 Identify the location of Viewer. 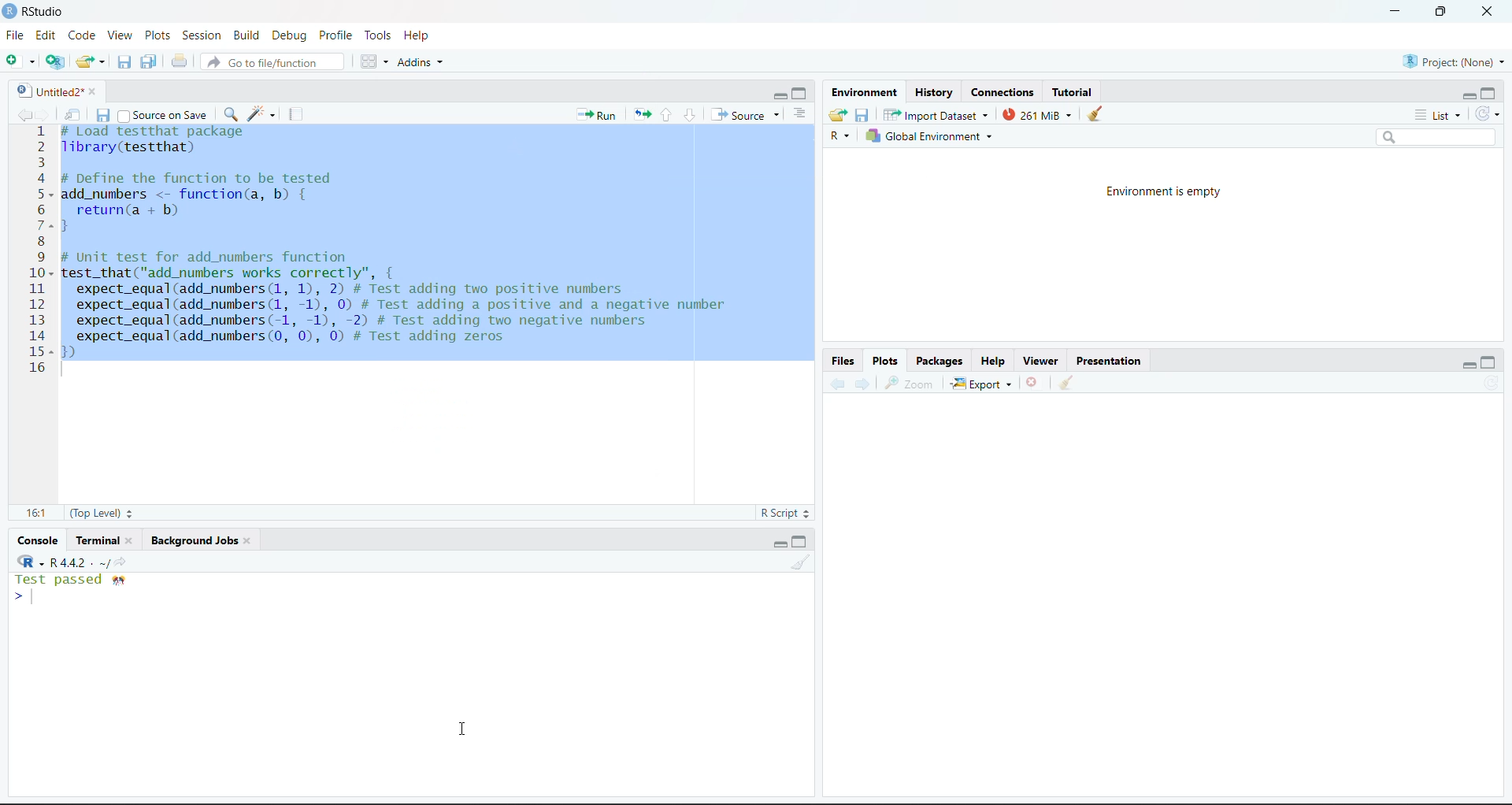
(1039, 362).